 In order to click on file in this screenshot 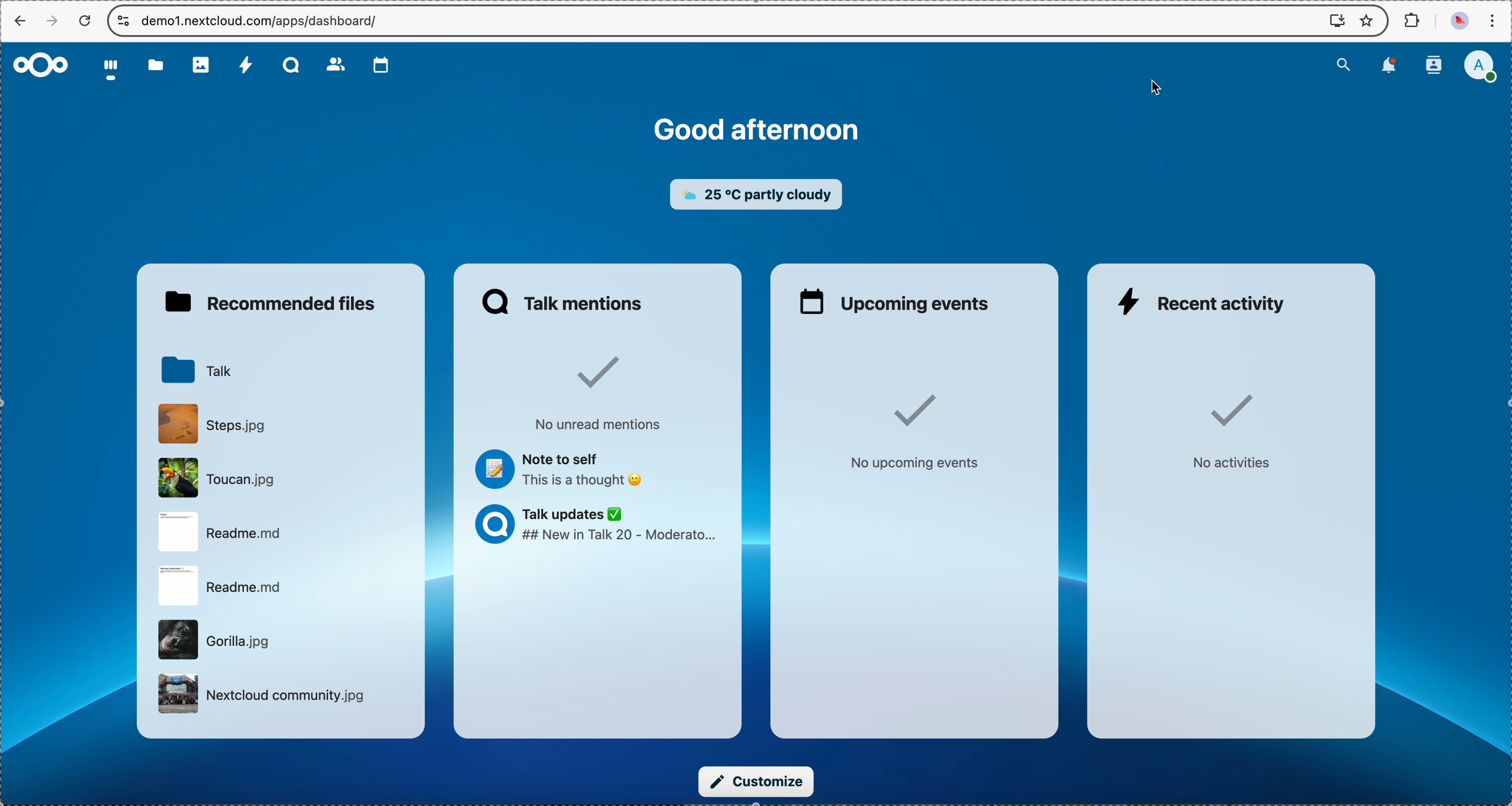, I will do `click(220, 639)`.